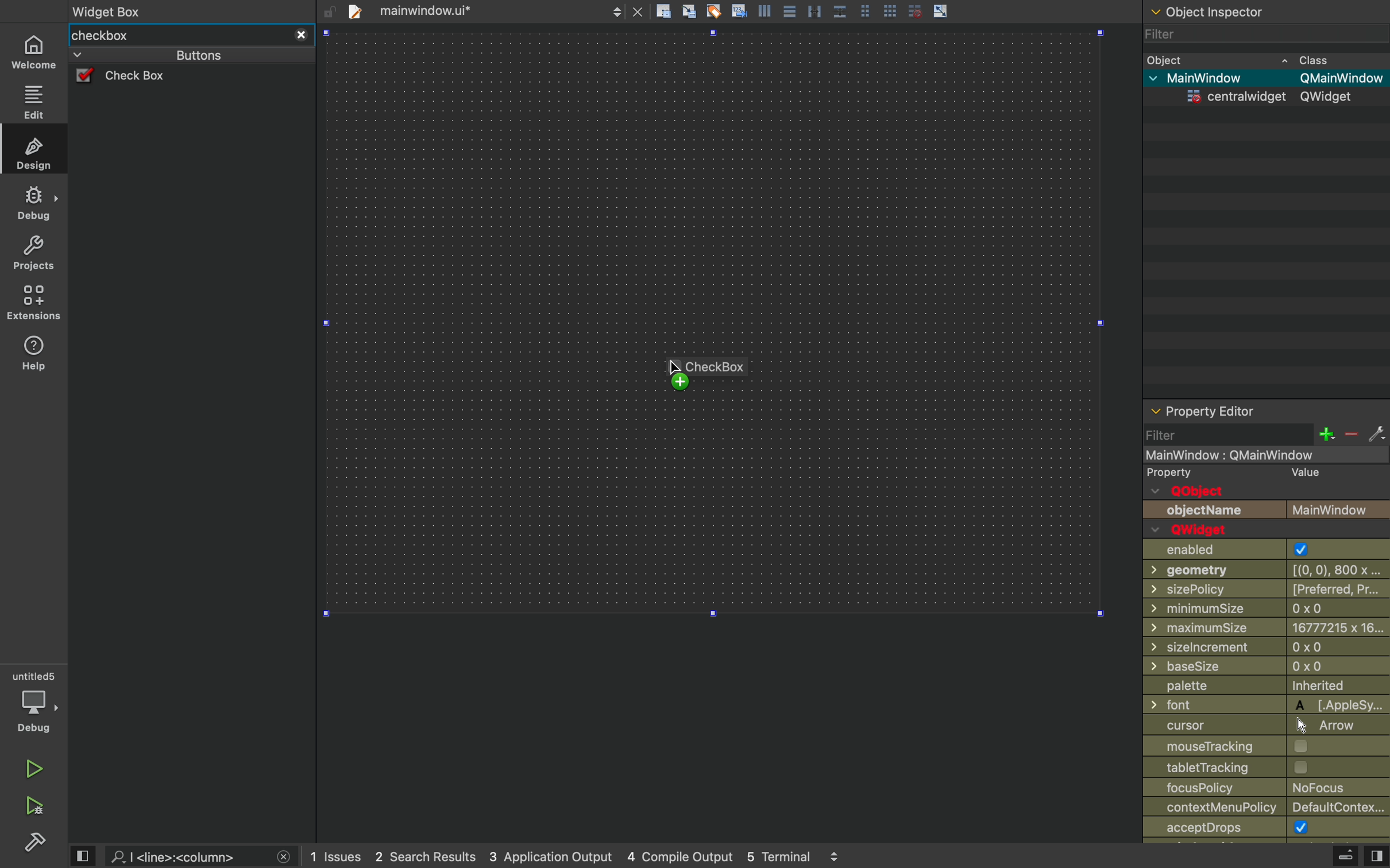 This screenshot has width=1390, height=868. Describe the element at coordinates (33, 357) in the screenshot. I see `help` at that location.